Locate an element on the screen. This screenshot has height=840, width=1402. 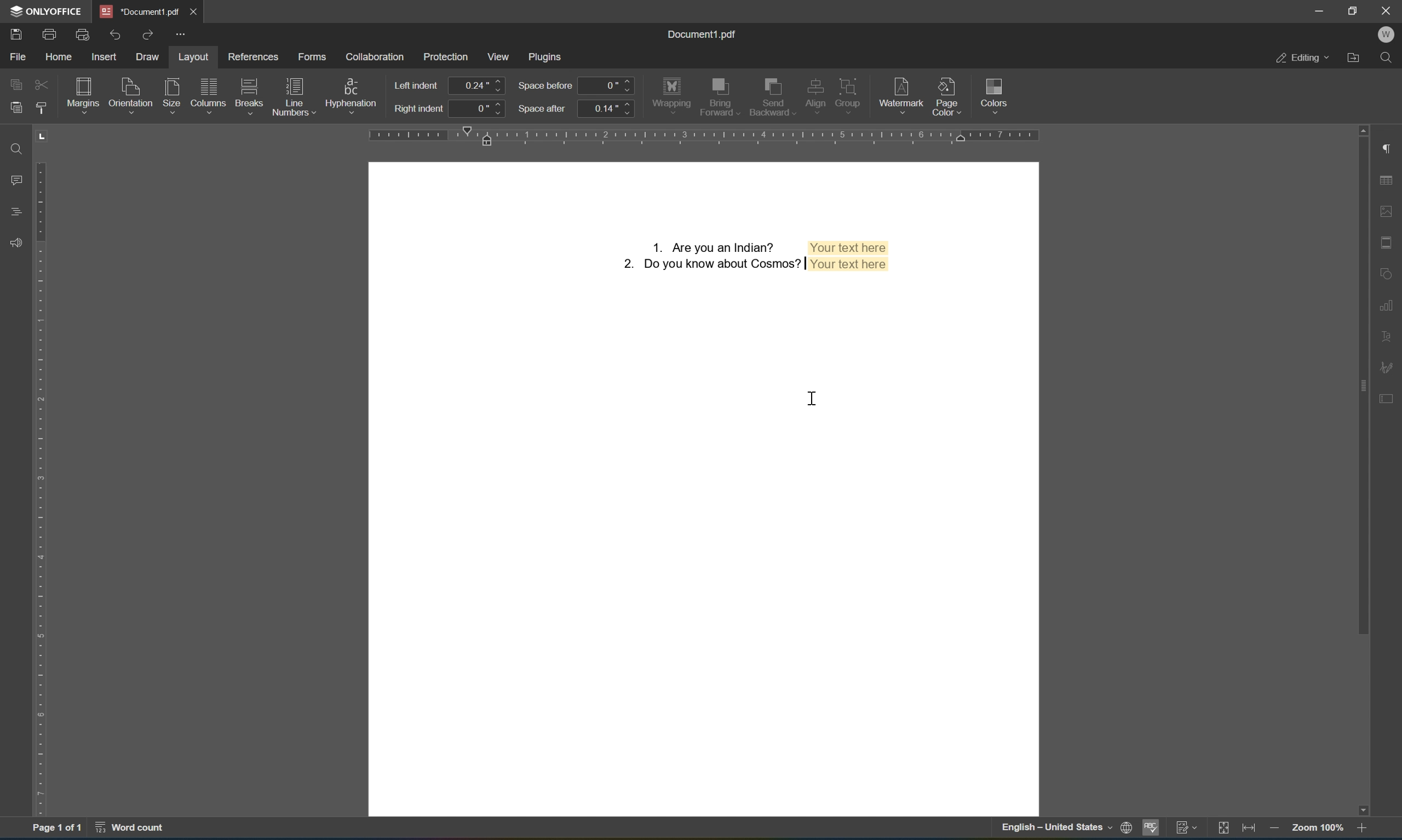
plugins is located at coordinates (548, 55).